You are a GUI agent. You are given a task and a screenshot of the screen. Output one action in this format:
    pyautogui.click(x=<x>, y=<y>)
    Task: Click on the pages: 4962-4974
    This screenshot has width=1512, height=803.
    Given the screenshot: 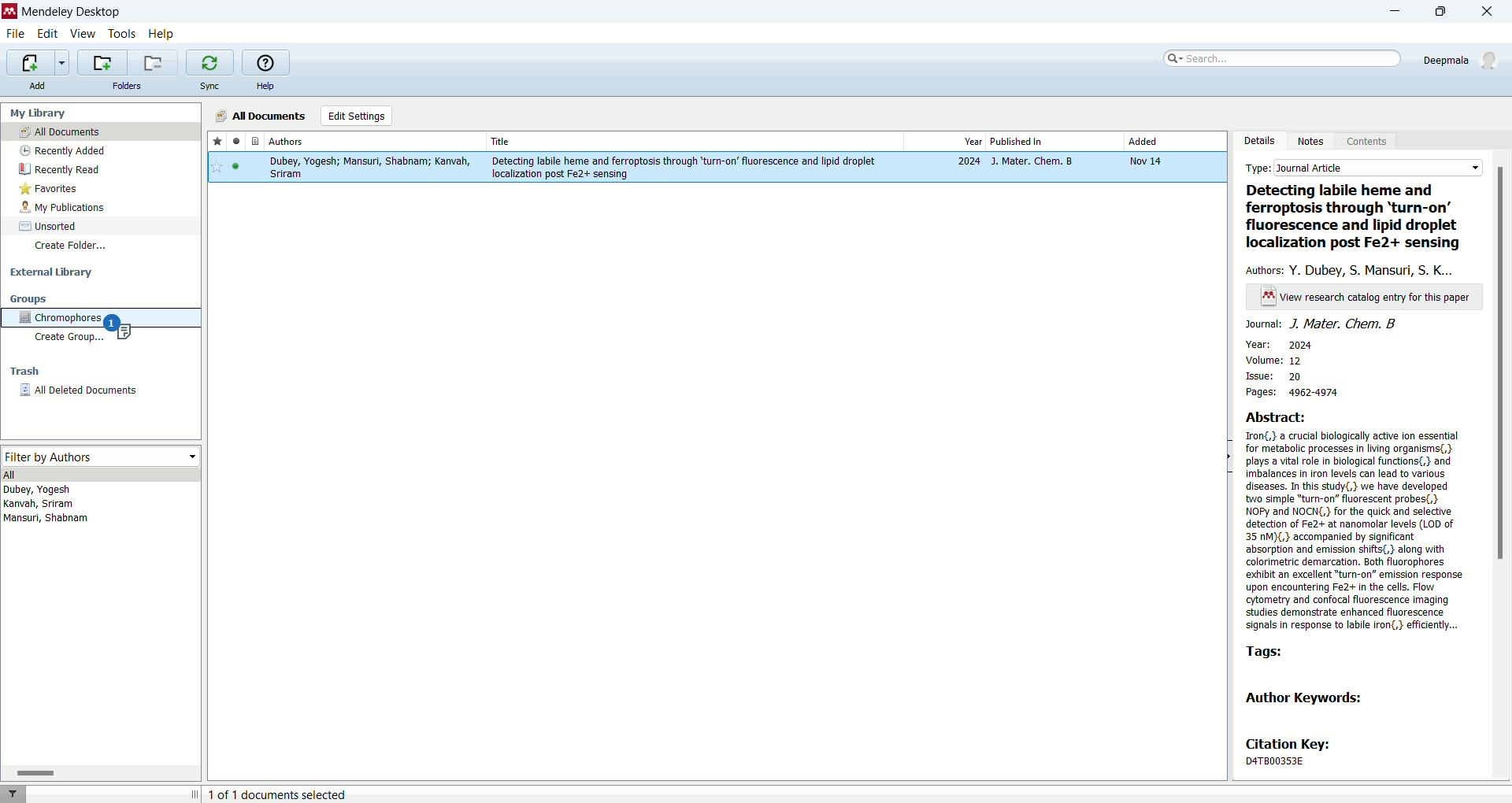 What is the action you would take?
    pyautogui.click(x=1305, y=392)
    